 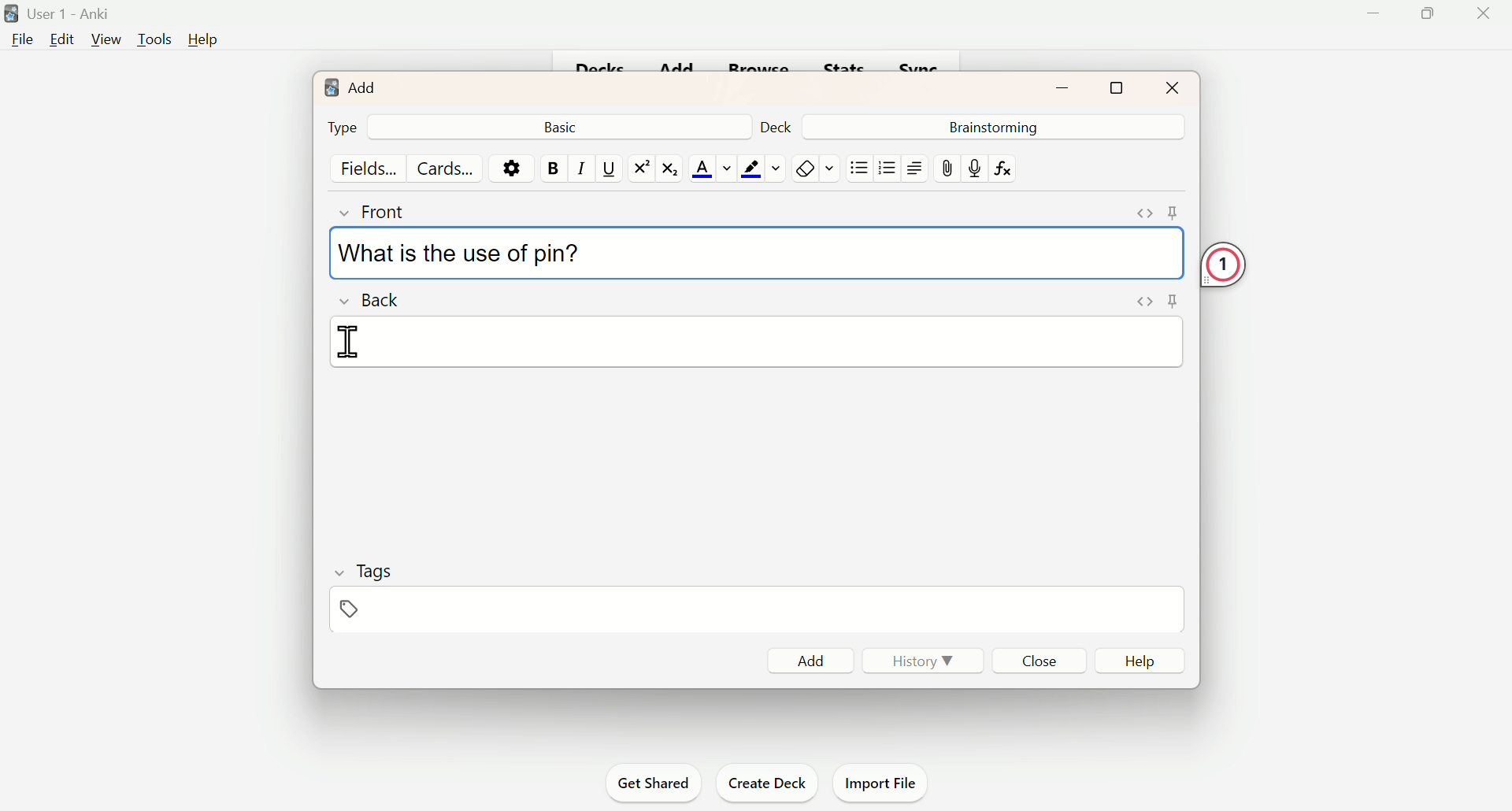 I want to click on Italiac, so click(x=580, y=167).